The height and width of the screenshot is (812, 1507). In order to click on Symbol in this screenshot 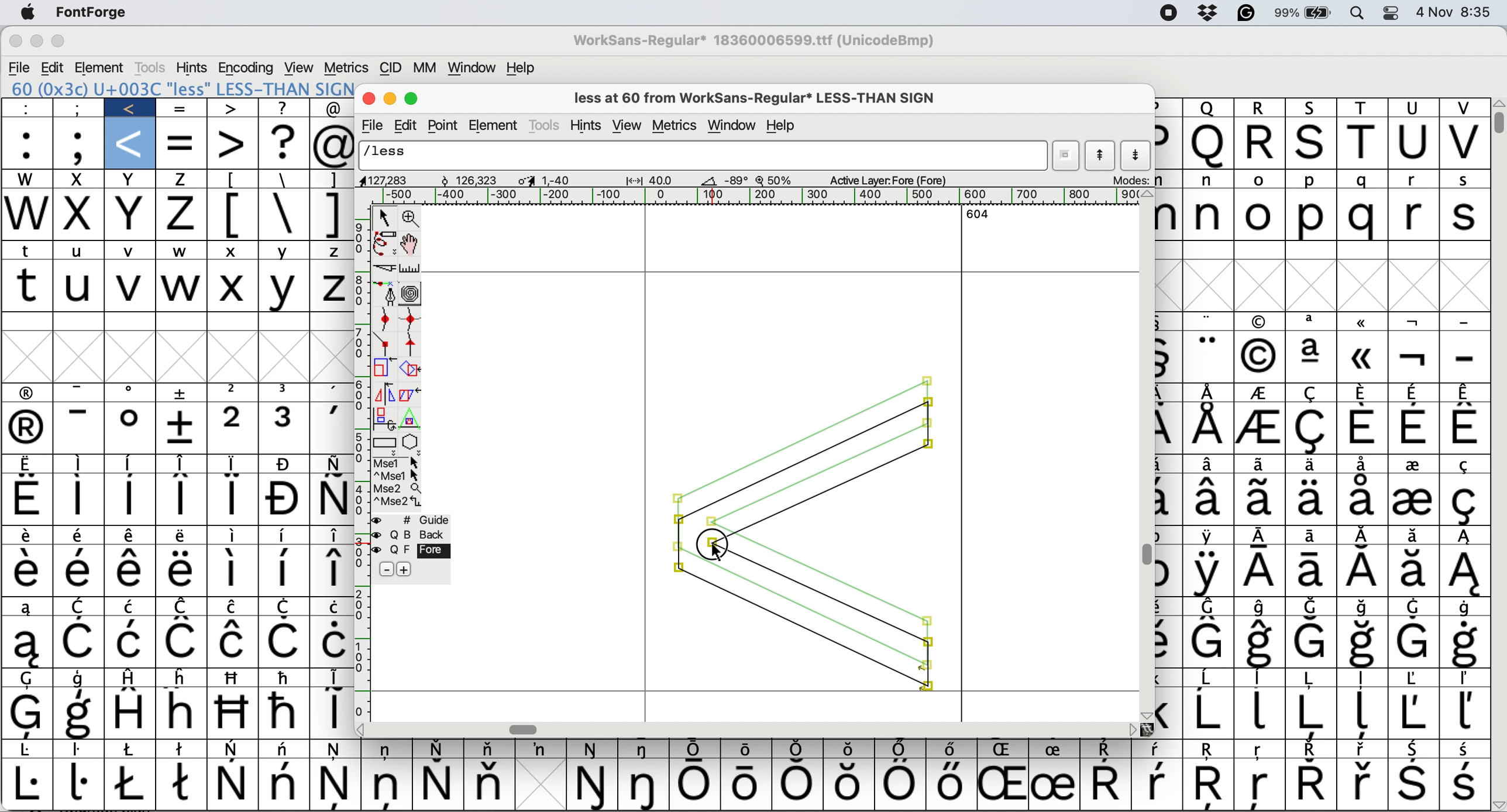, I will do `click(1312, 642)`.